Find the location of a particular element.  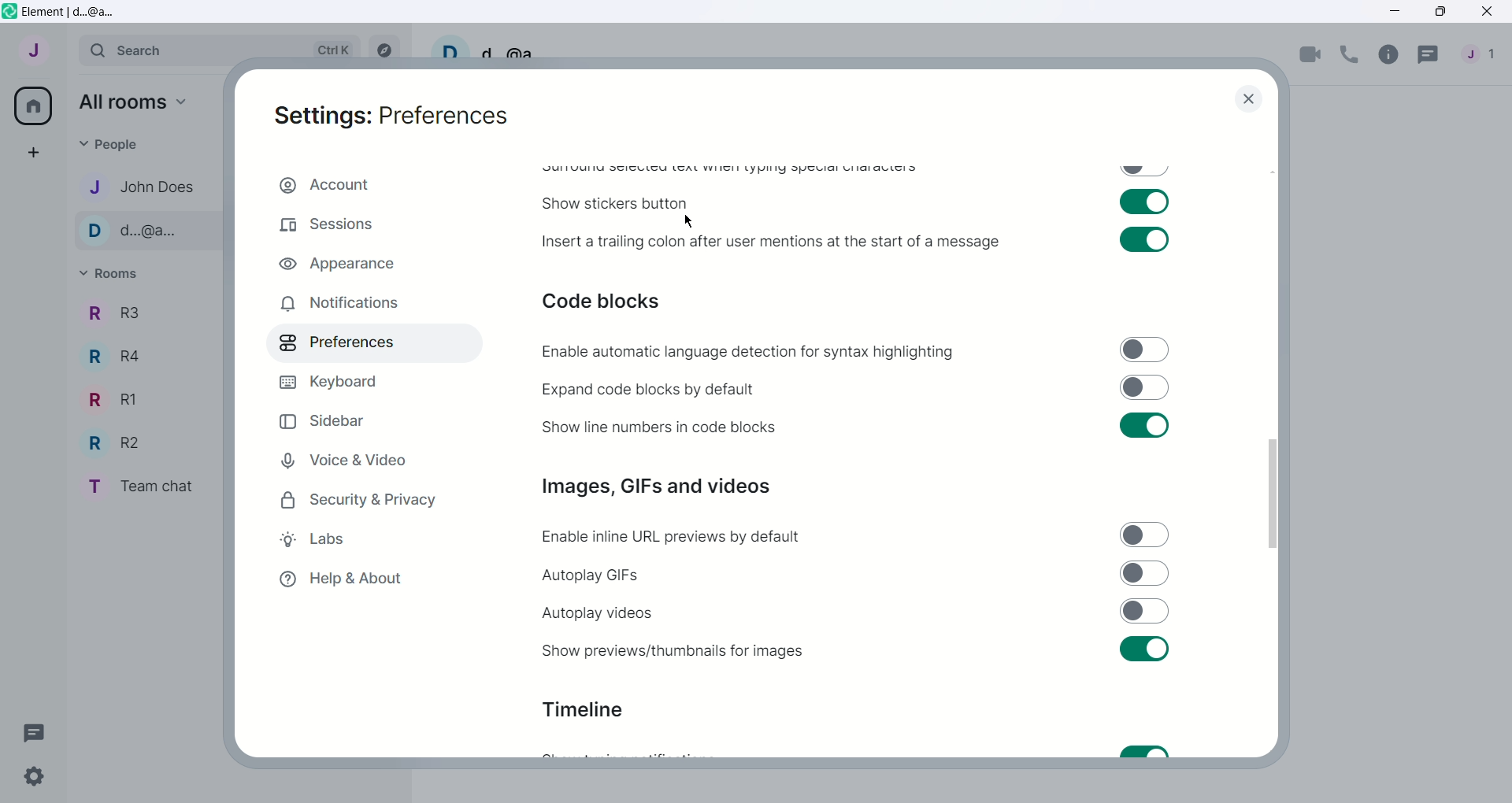

Close is located at coordinates (1489, 11).